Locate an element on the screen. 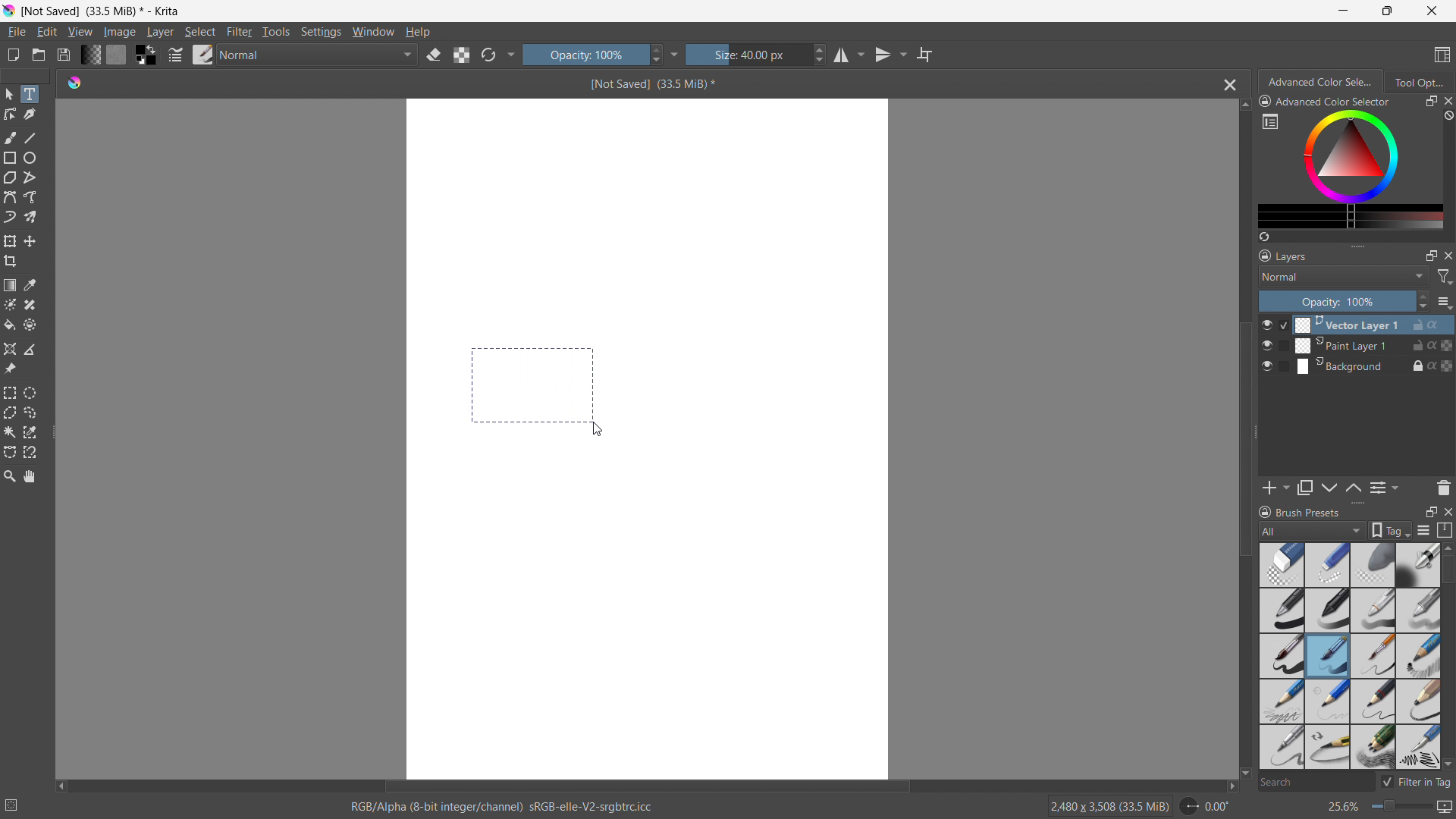 Image resolution: width=1456 pixels, height=819 pixels. reload original preset is located at coordinates (488, 54).